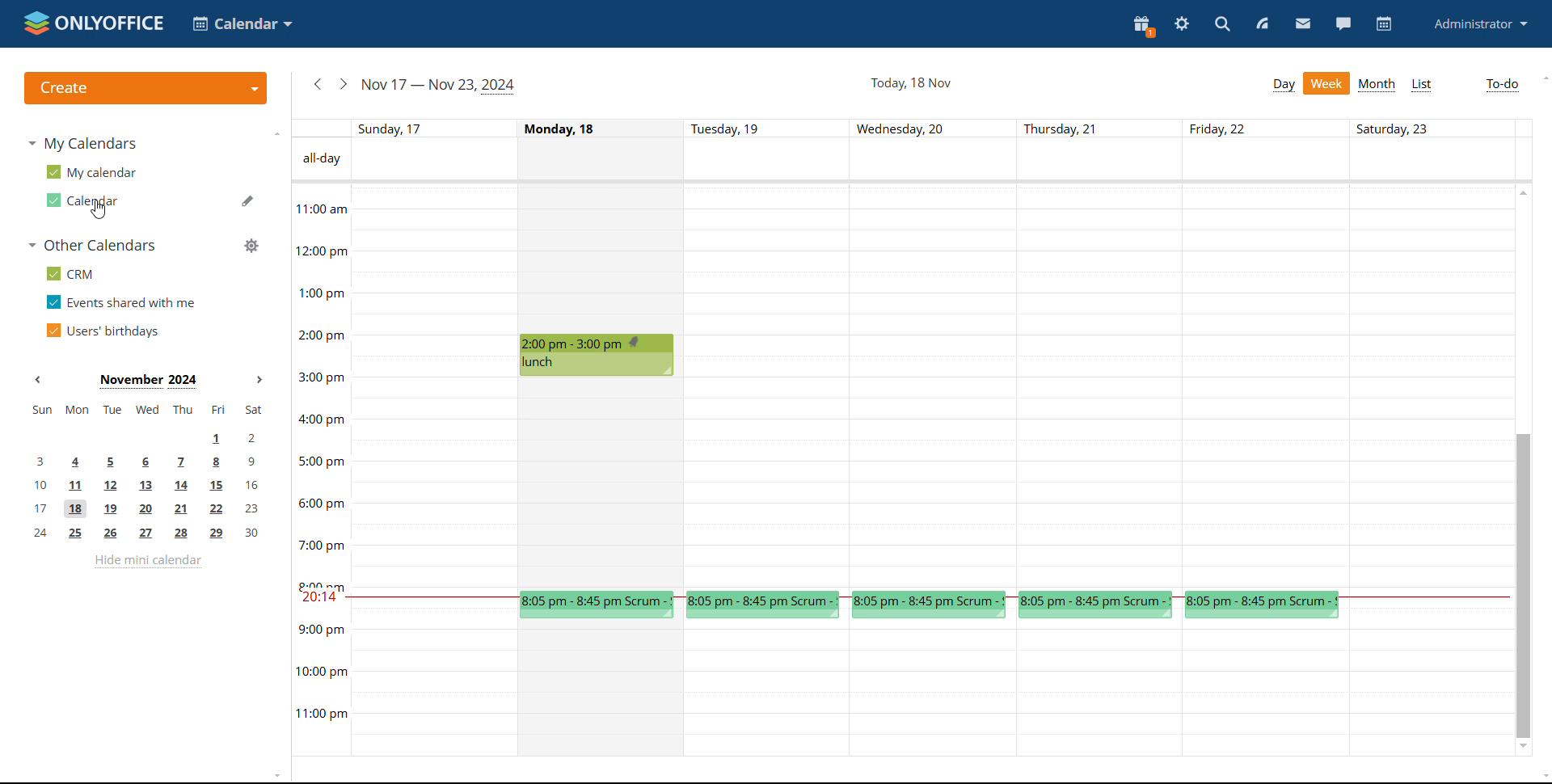 The image size is (1552, 784). I want to click on timeline, so click(320, 469).